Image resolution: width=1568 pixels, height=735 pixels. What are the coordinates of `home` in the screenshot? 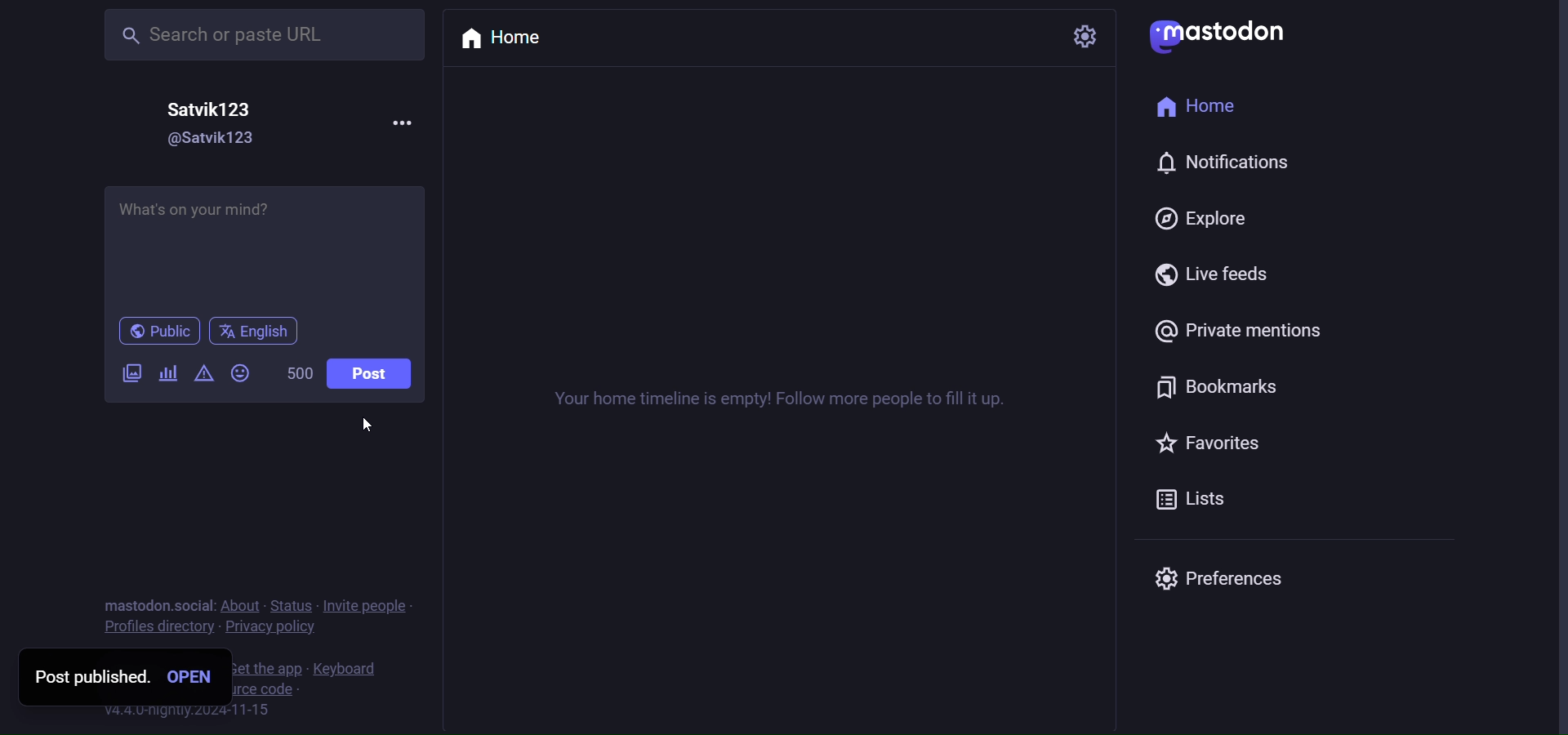 It's located at (512, 38).